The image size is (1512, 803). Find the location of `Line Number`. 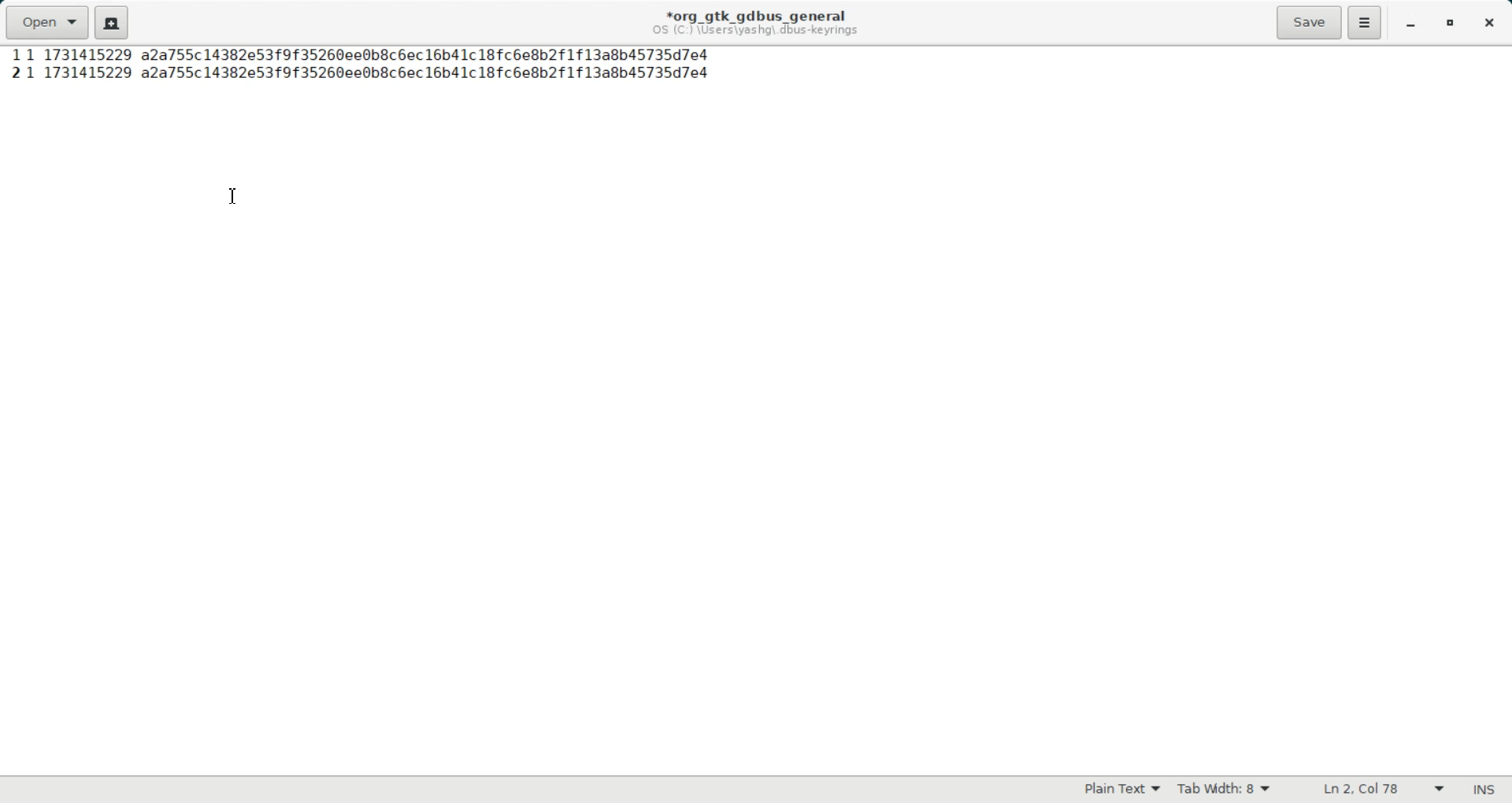

Line Number is located at coordinates (17, 72).